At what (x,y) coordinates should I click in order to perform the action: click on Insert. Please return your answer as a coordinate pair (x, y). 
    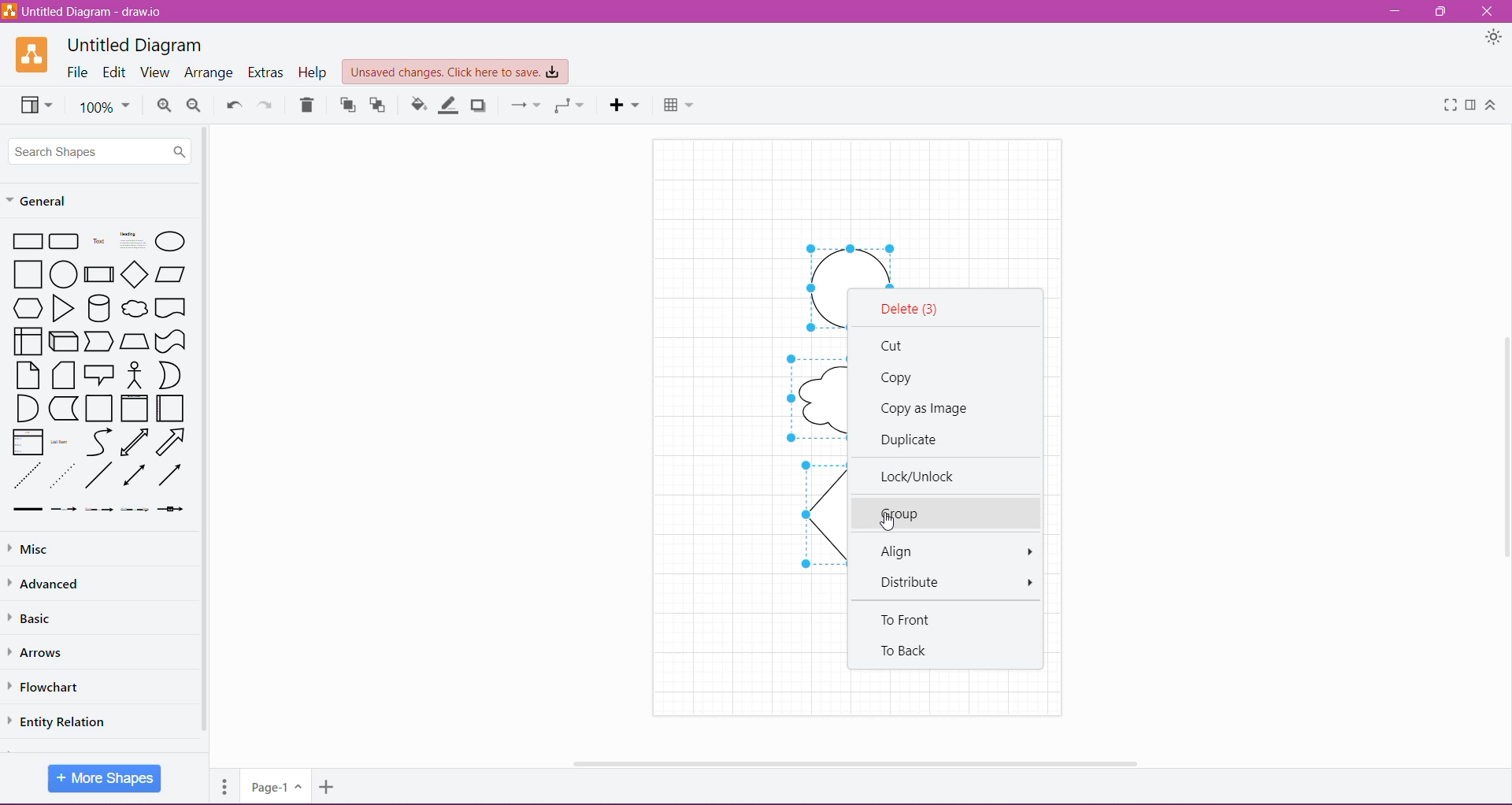
    Looking at the image, I should click on (624, 105).